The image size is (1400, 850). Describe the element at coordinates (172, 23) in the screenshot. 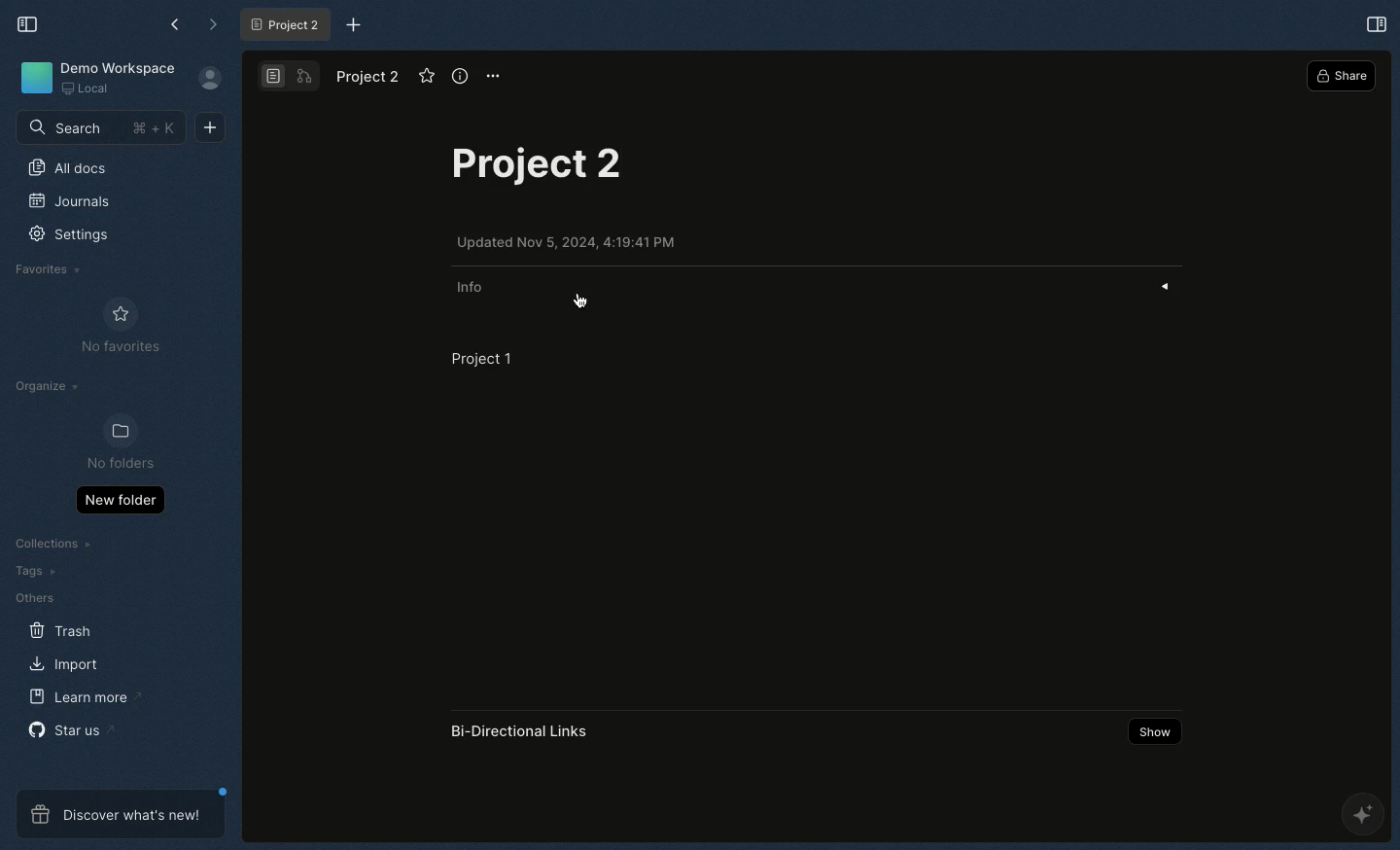

I see `Back` at that location.